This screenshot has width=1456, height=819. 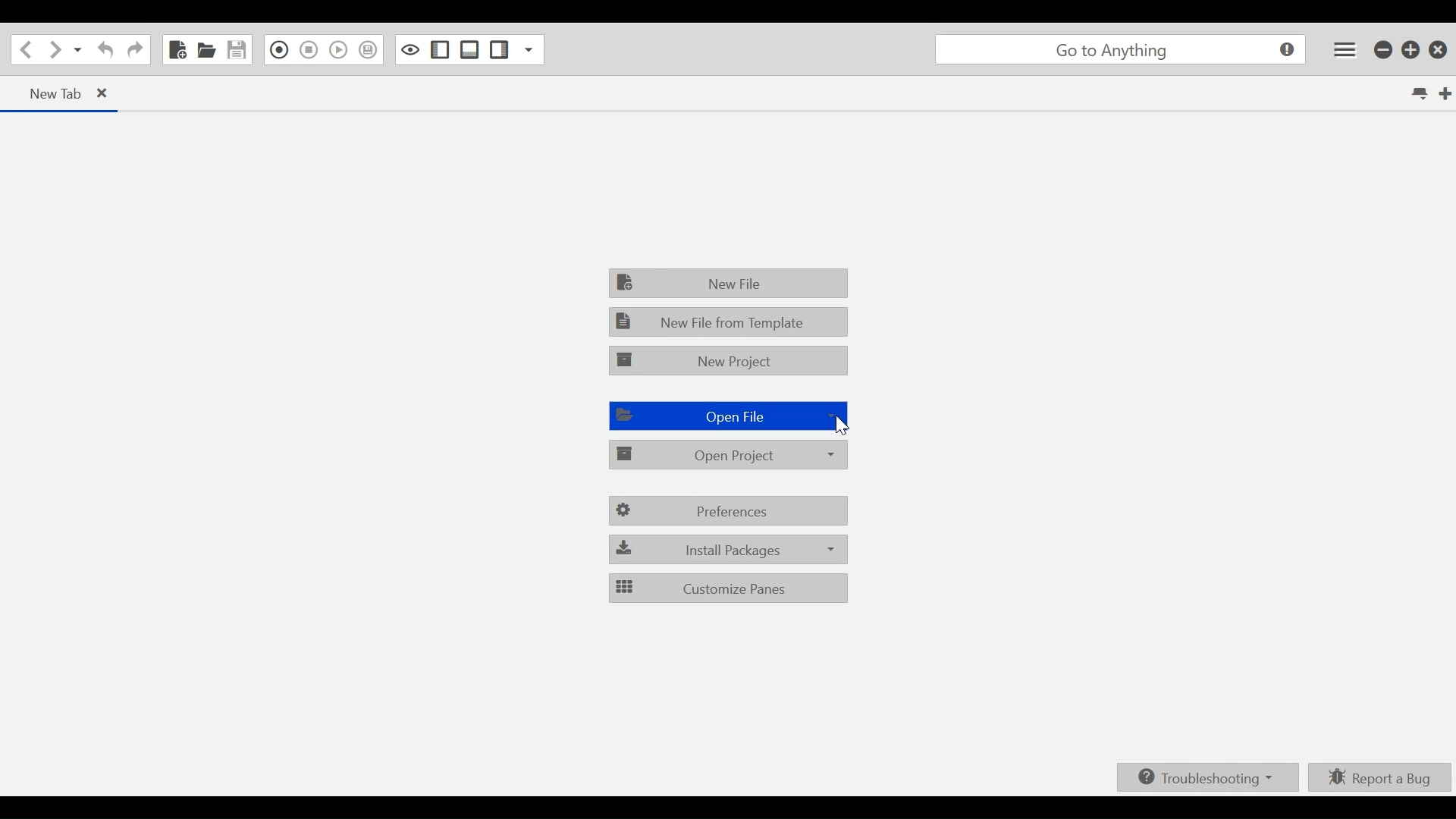 What do you see at coordinates (78, 49) in the screenshot?
I see `Recent LOcations` at bounding box center [78, 49].